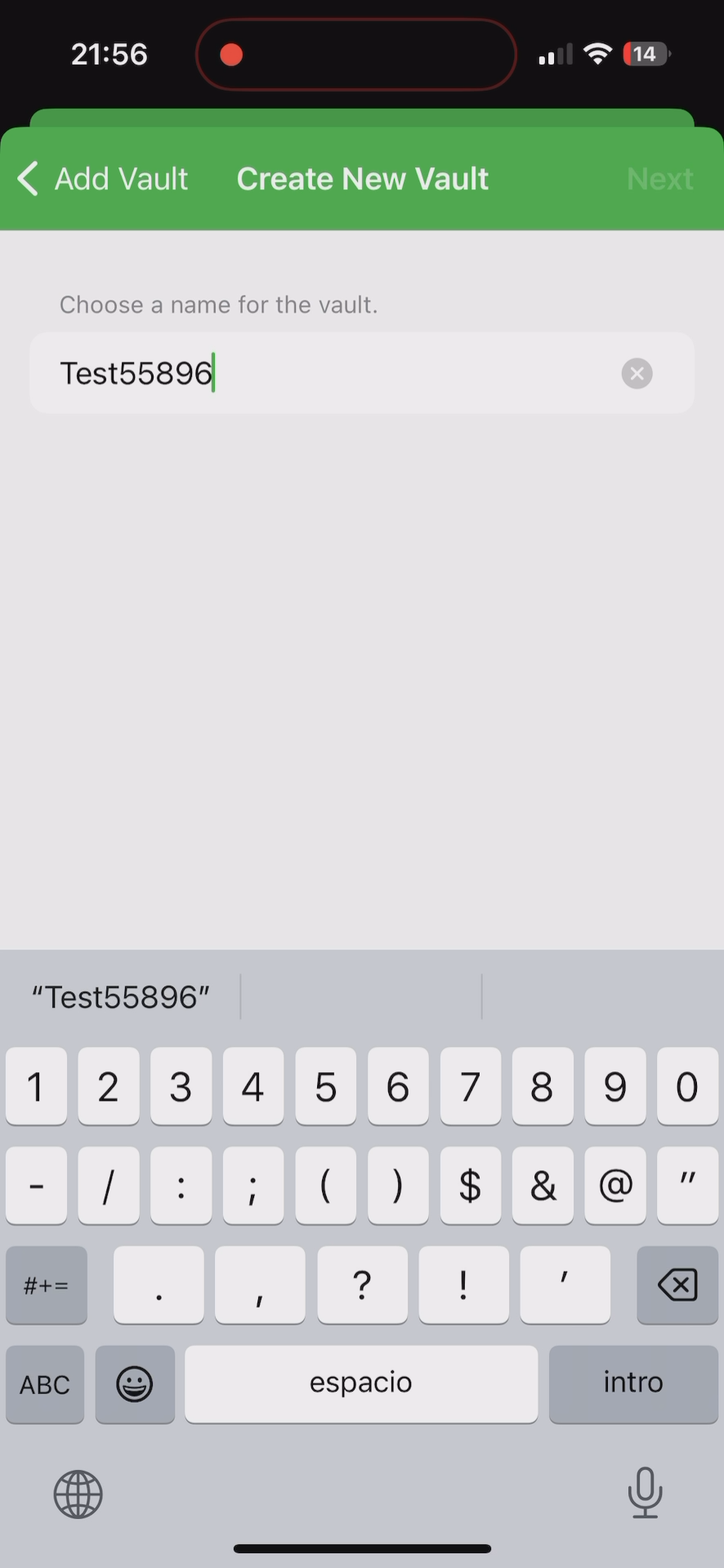 This screenshot has height=1568, width=724. What do you see at coordinates (83, 1496) in the screenshot?
I see `change language` at bounding box center [83, 1496].